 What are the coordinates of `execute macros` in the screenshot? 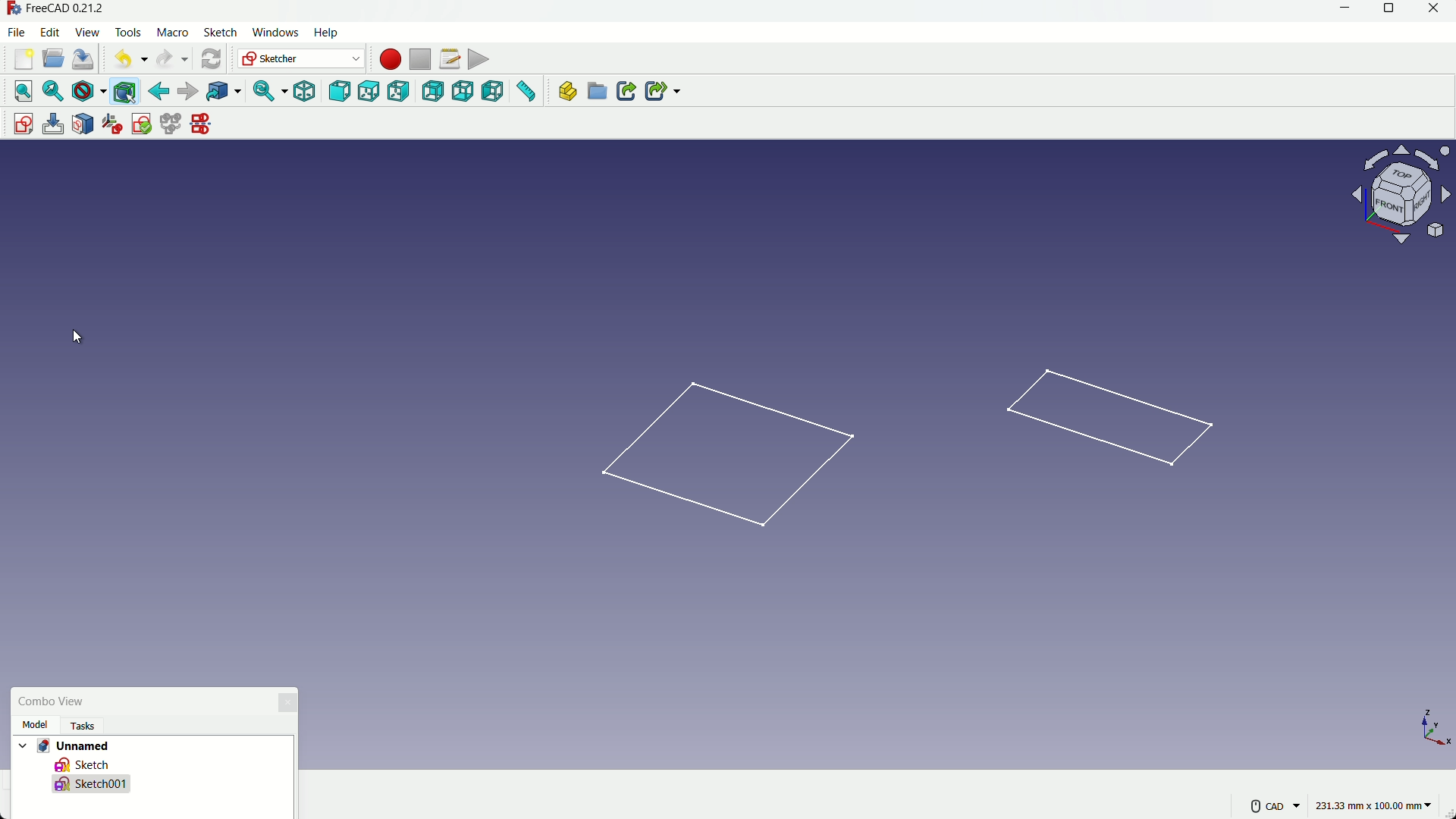 It's located at (479, 59).